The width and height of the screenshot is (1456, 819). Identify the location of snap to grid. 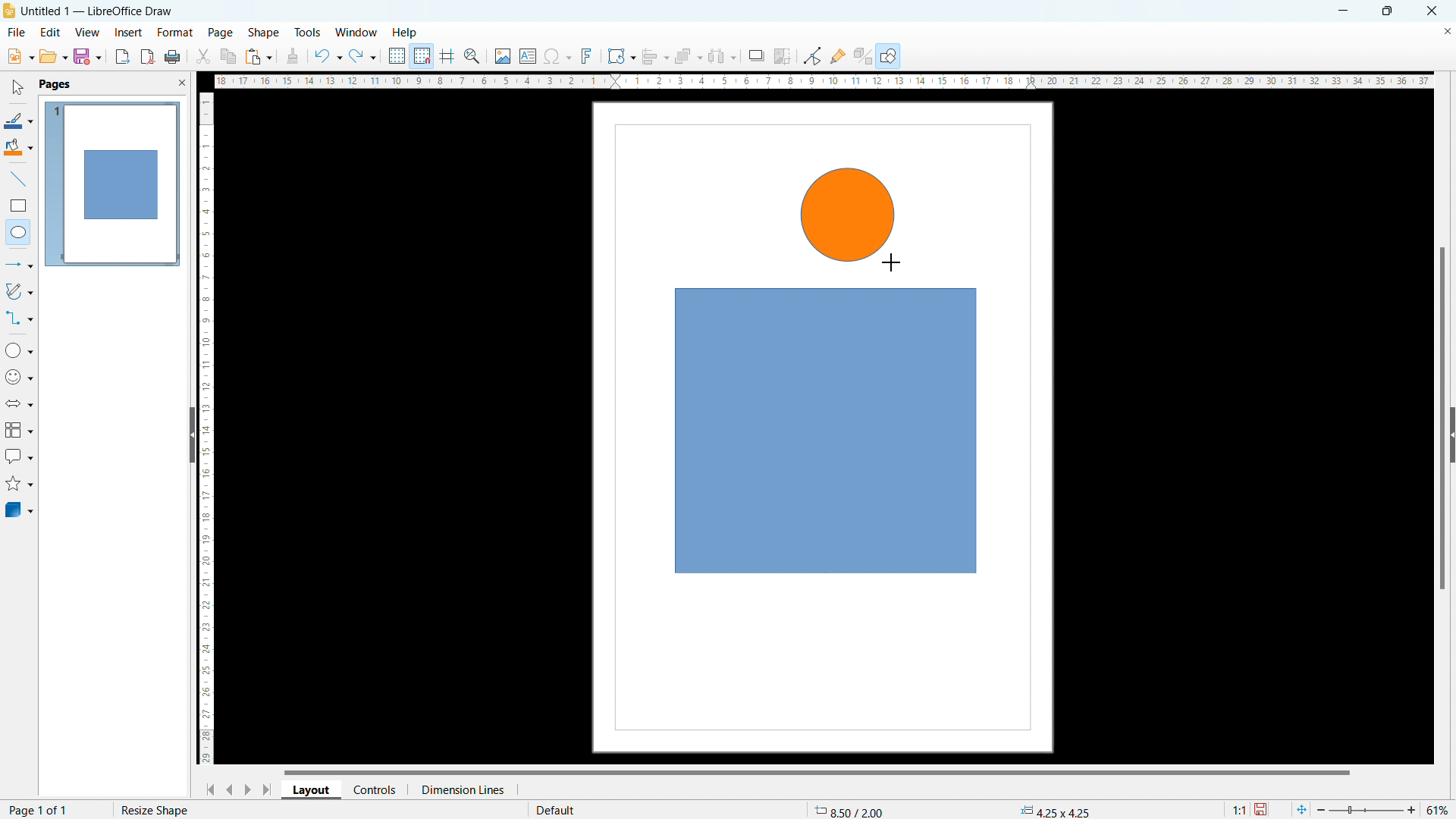
(422, 55).